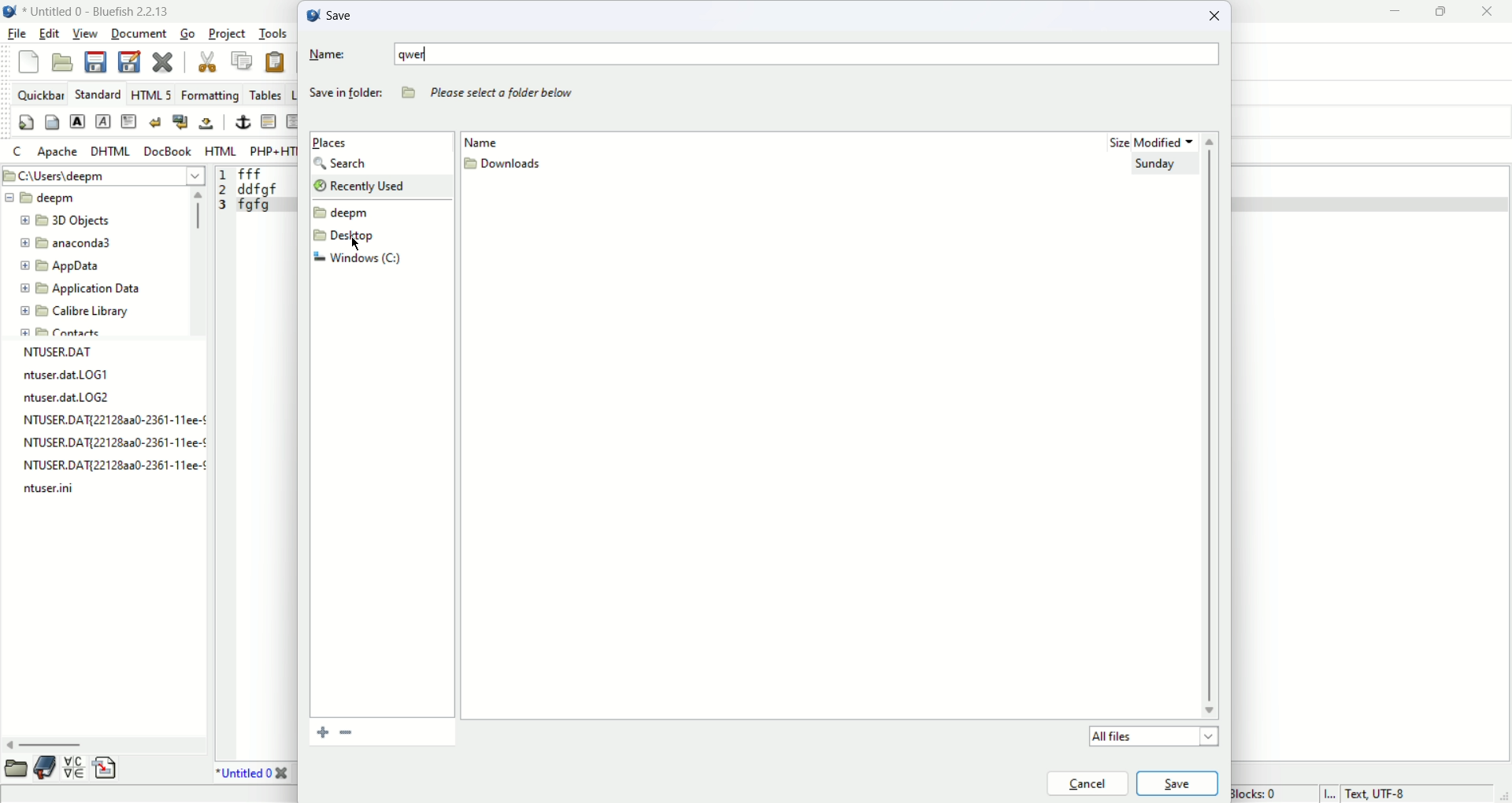 The image size is (1512, 803). What do you see at coordinates (129, 120) in the screenshot?
I see `paragraph` at bounding box center [129, 120].